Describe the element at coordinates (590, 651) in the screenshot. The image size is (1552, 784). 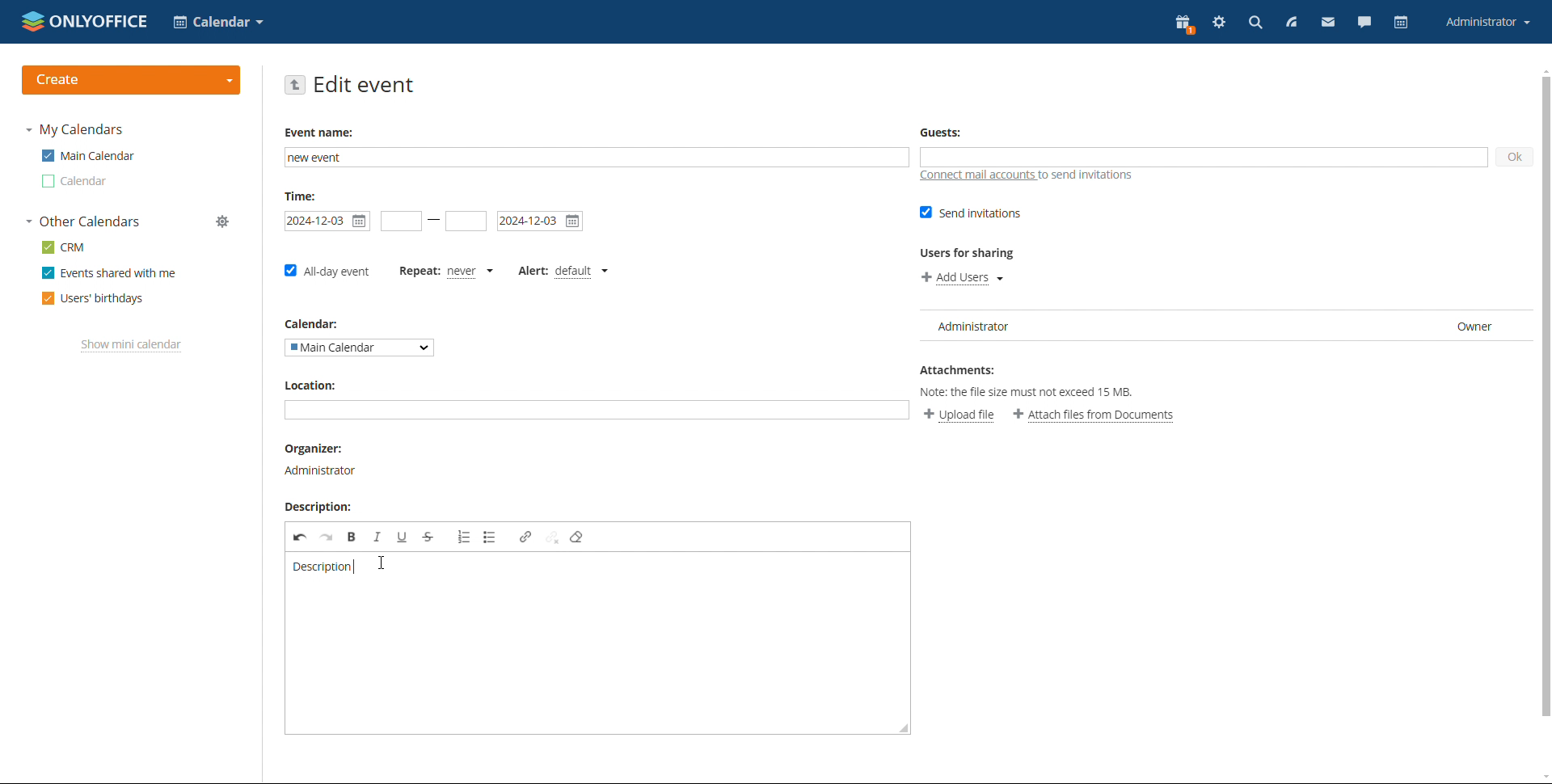
I see `space to edit description` at that location.